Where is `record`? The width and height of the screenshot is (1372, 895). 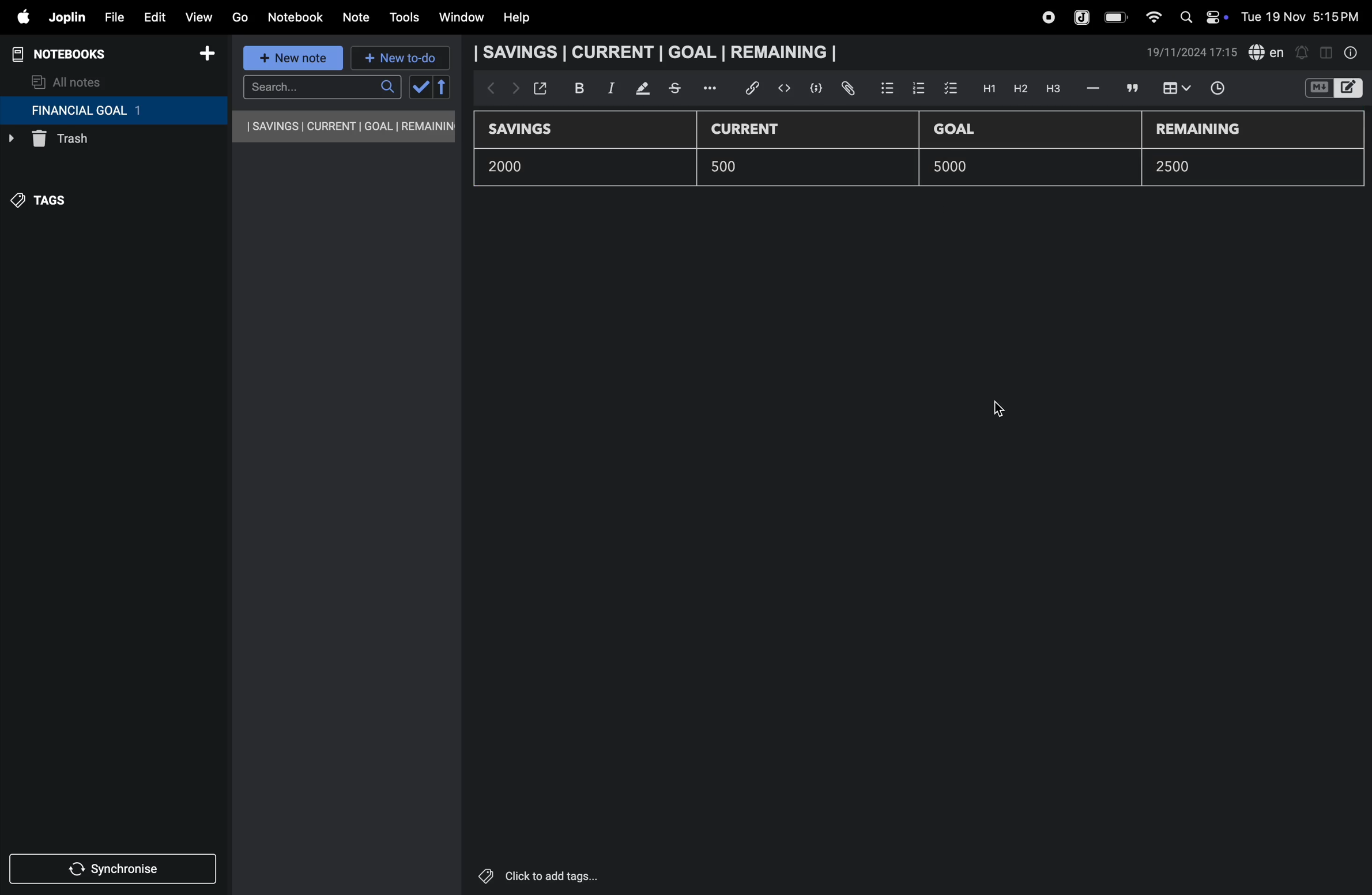 record is located at coordinates (1047, 17).